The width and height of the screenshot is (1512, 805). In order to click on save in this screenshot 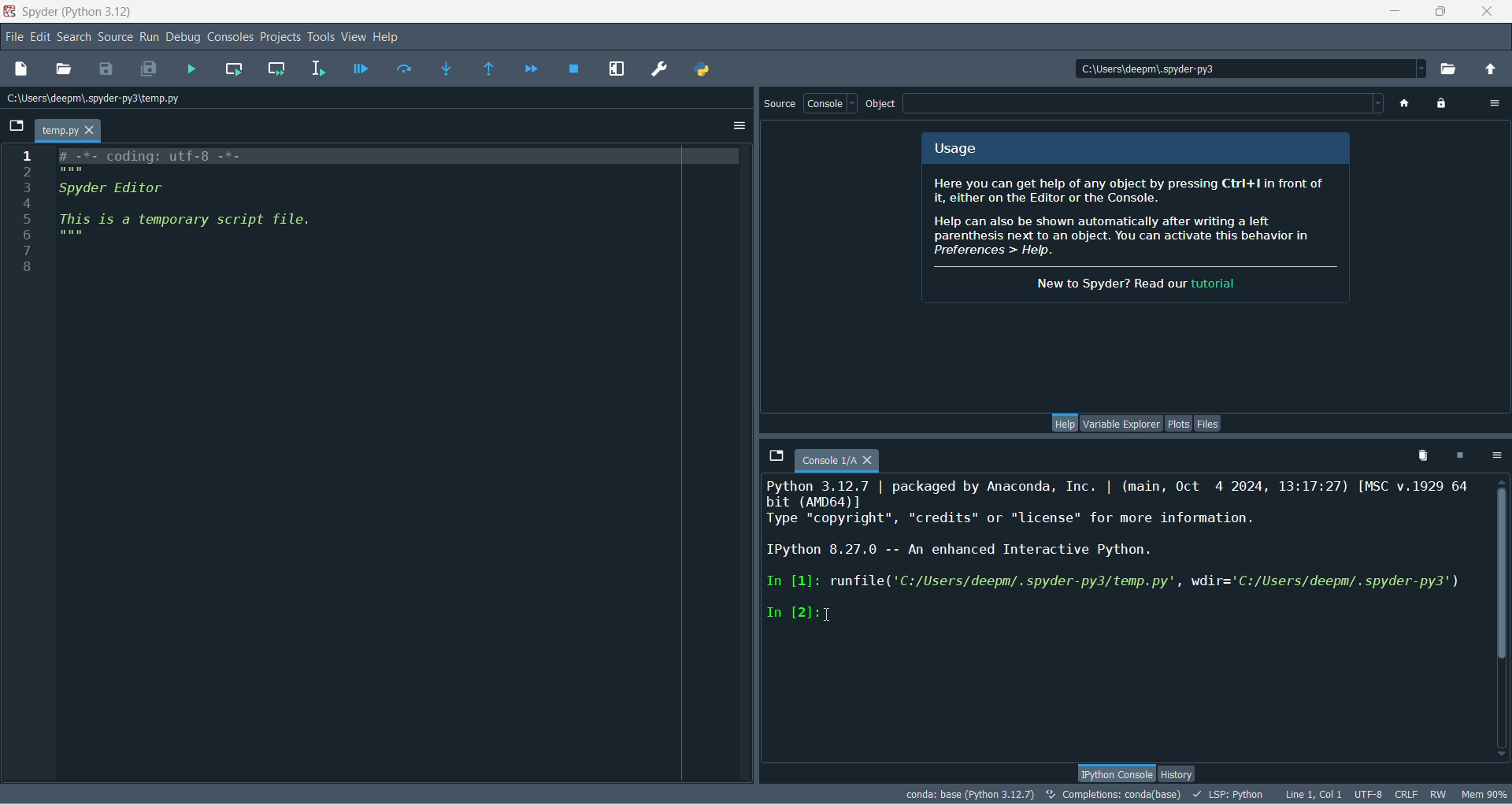, I will do `click(106, 69)`.